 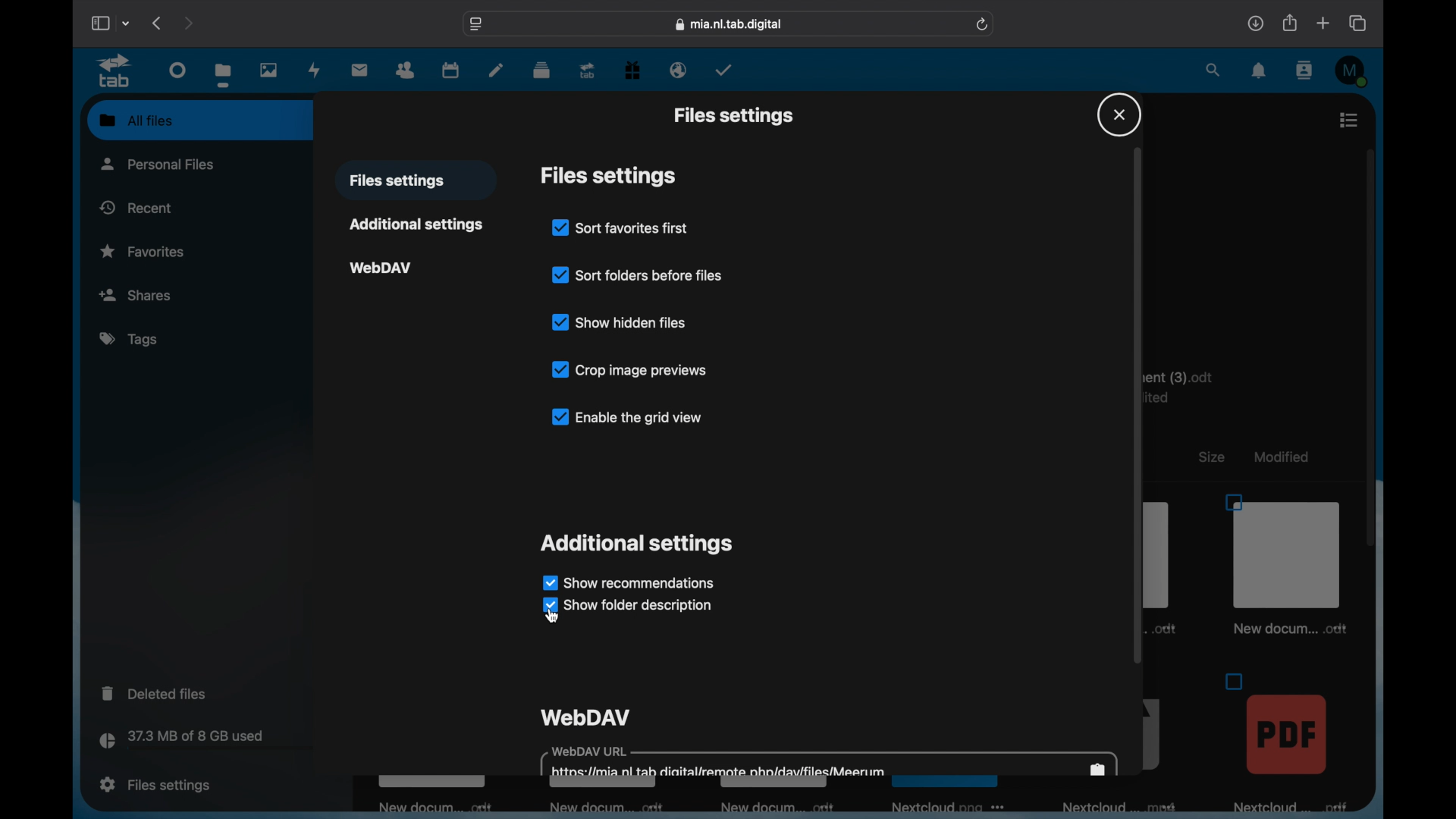 I want to click on storage, so click(x=212, y=742).